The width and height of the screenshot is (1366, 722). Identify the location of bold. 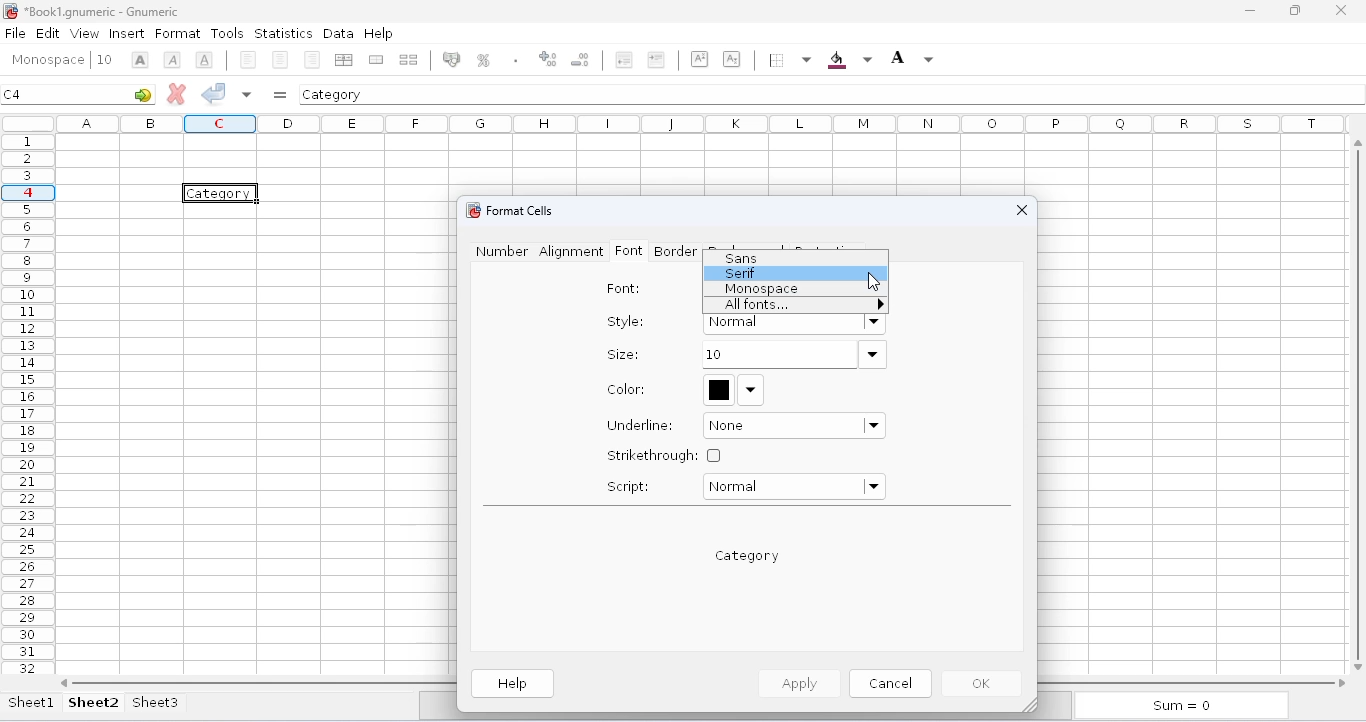
(140, 60).